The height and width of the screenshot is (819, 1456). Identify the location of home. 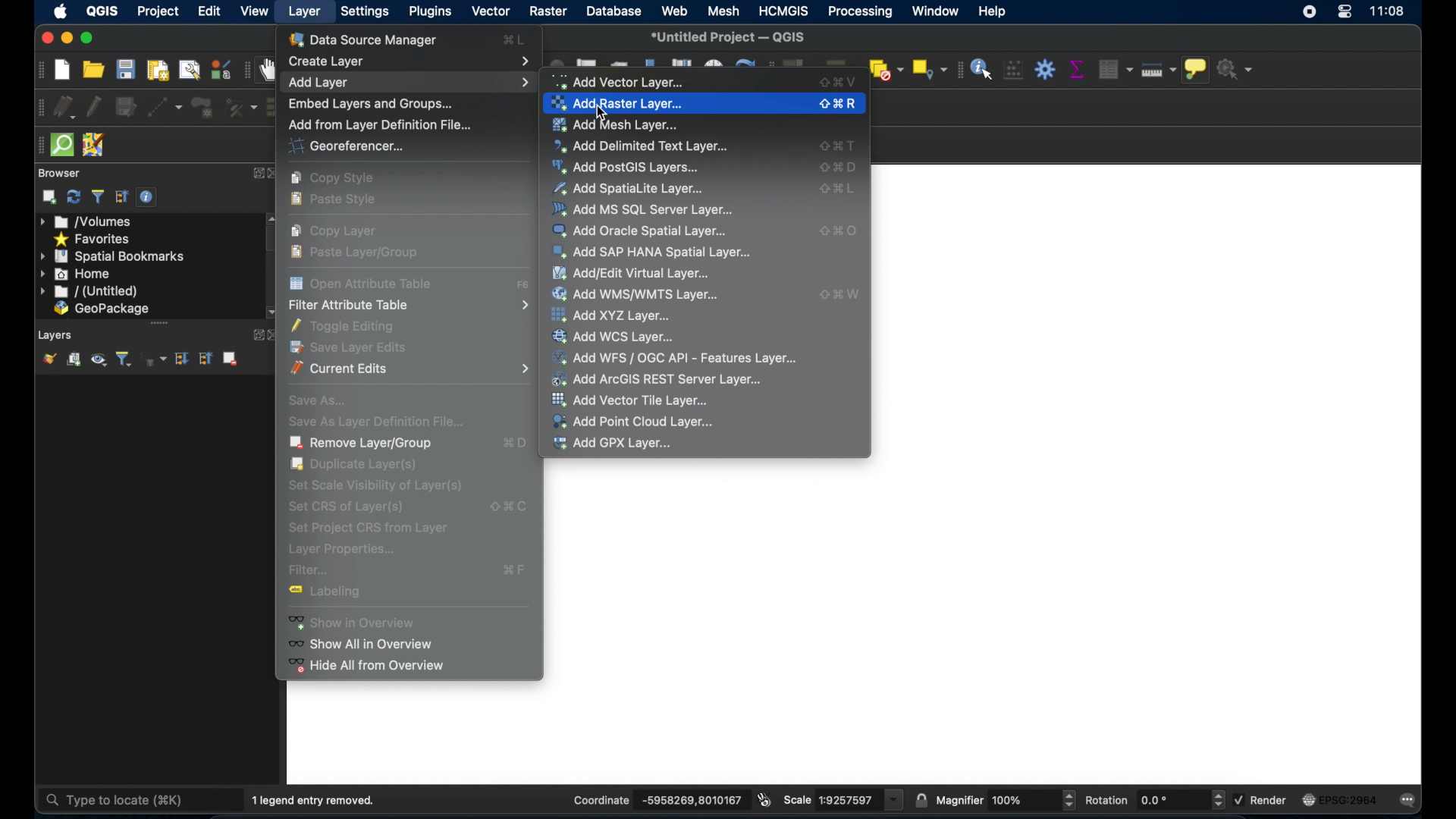
(77, 274).